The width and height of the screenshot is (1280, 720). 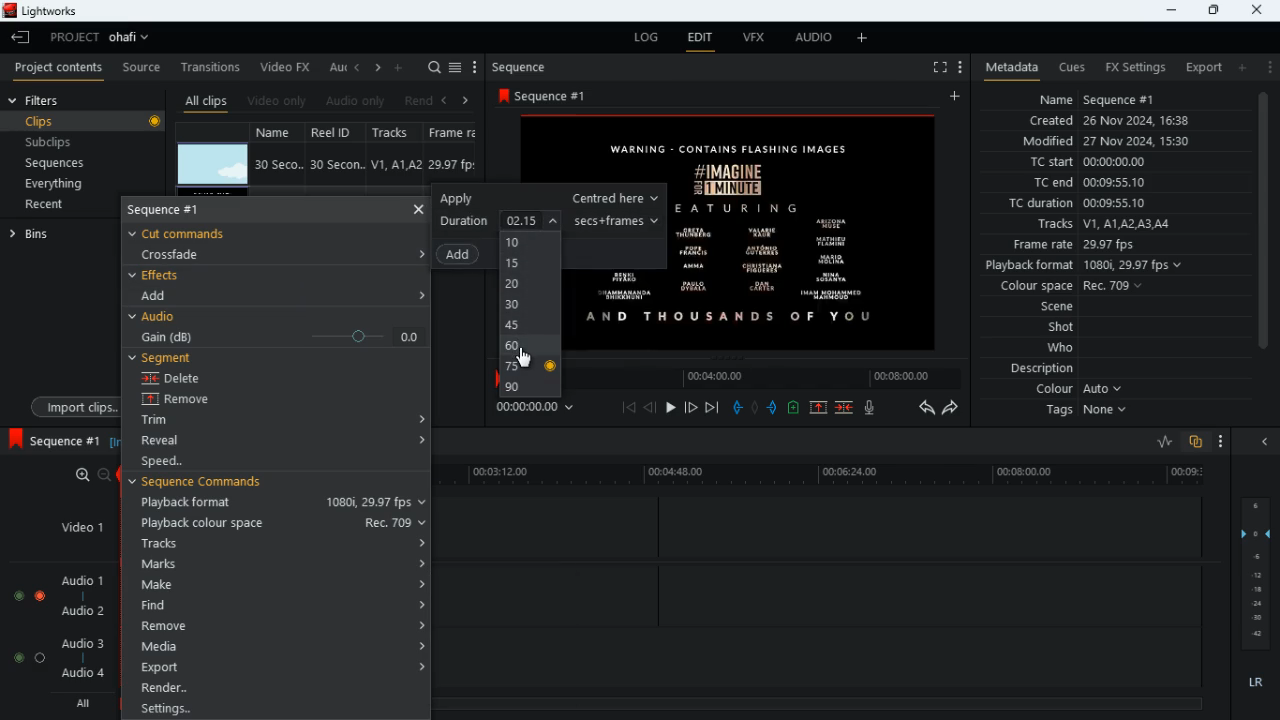 I want to click on tc start, so click(x=1086, y=163).